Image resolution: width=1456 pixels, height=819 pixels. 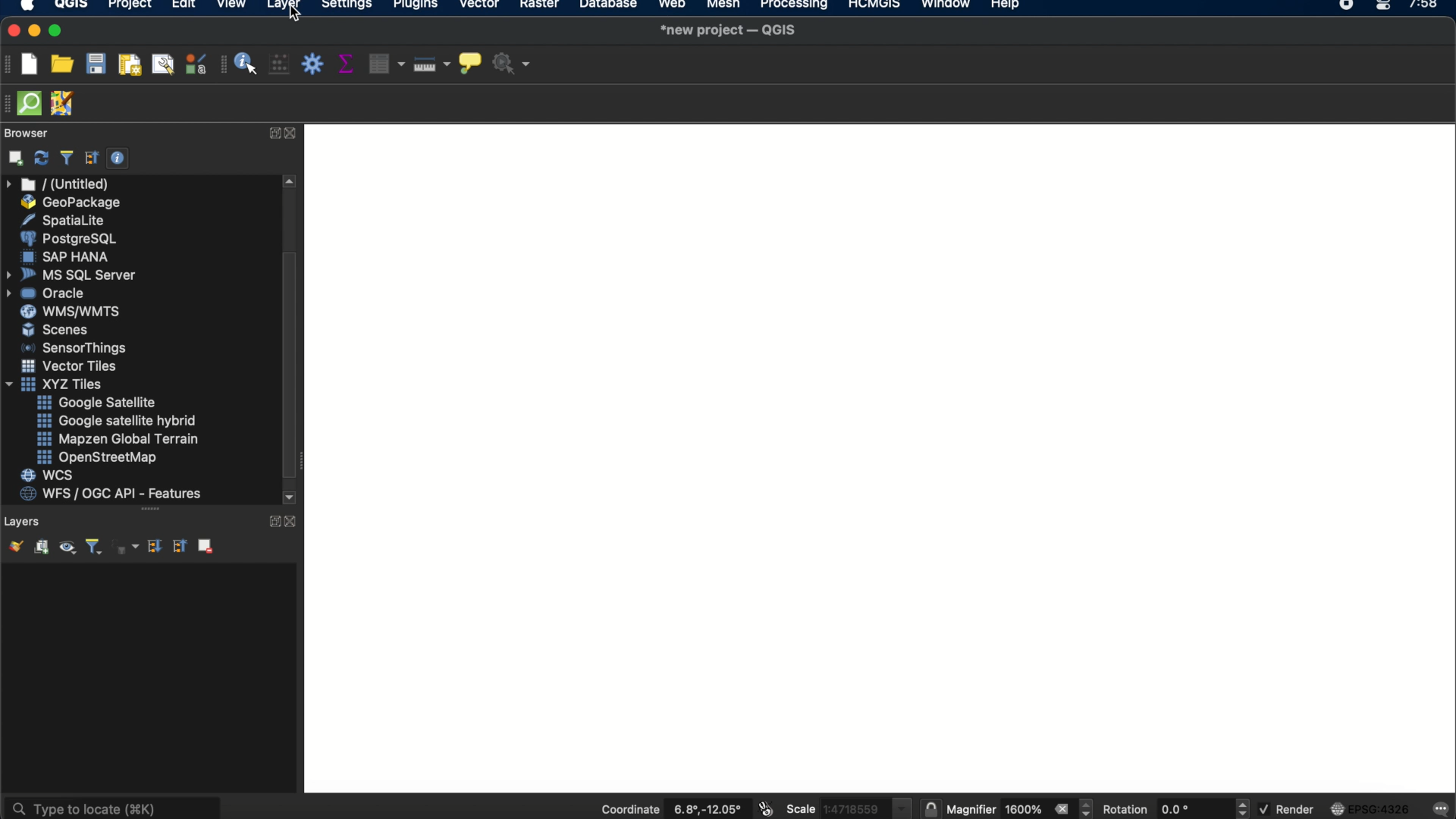 What do you see at coordinates (61, 64) in the screenshot?
I see `open project` at bounding box center [61, 64].